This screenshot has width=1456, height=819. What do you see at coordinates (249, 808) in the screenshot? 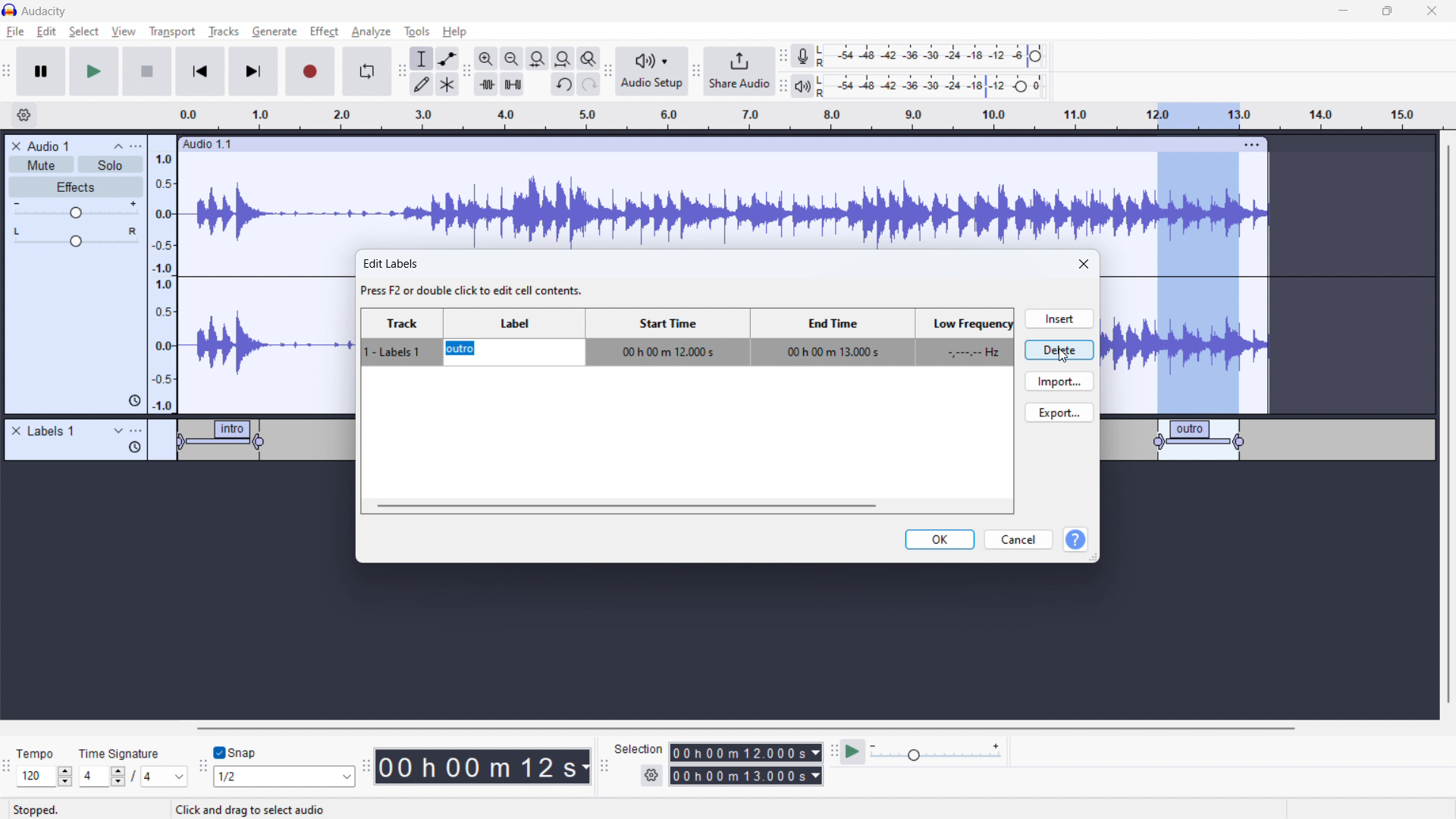
I see `Click and drag to select audio` at bounding box center [249, 808].